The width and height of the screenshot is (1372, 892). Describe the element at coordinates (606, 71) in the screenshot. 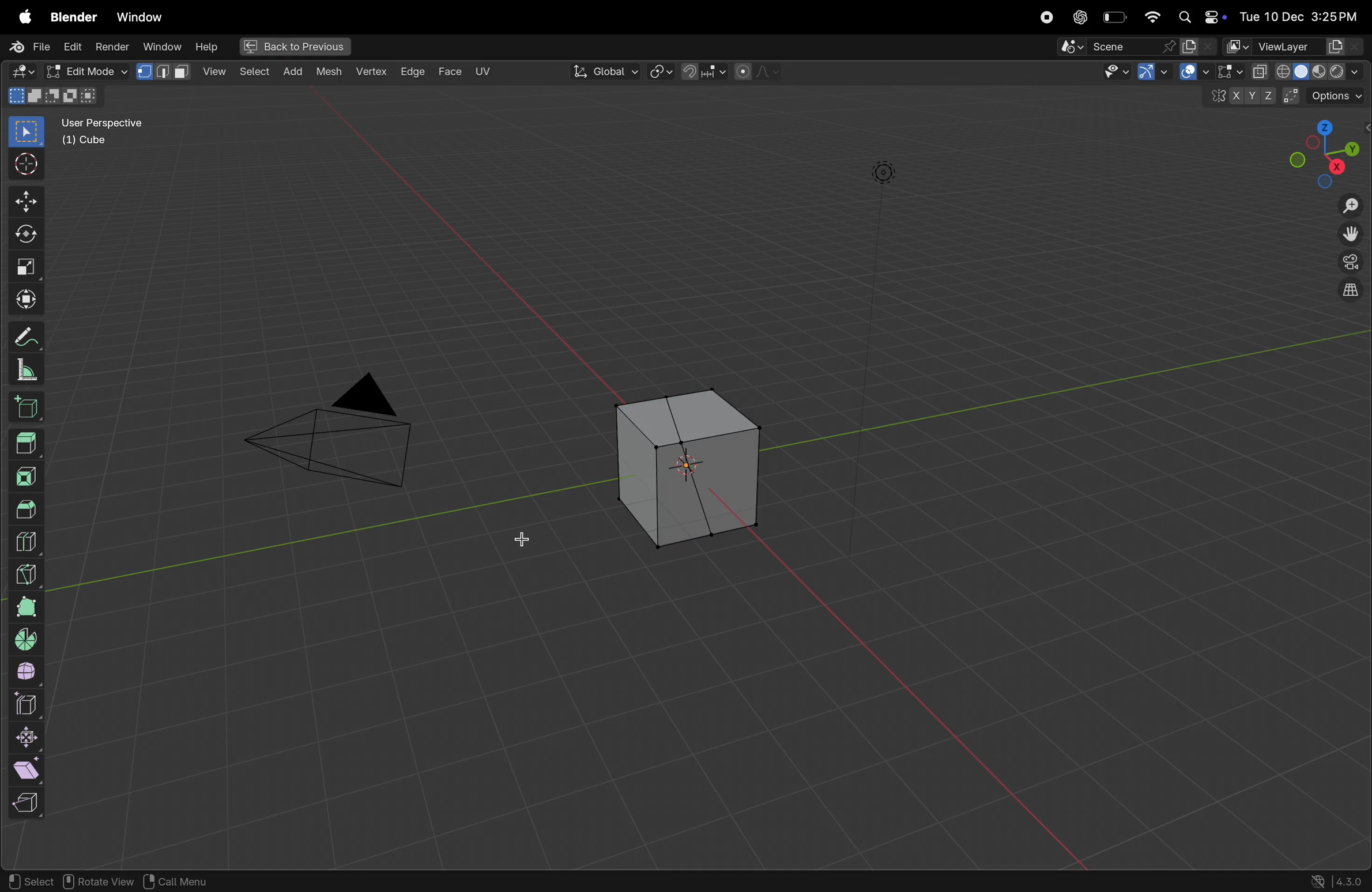

I see `Global` at that location.